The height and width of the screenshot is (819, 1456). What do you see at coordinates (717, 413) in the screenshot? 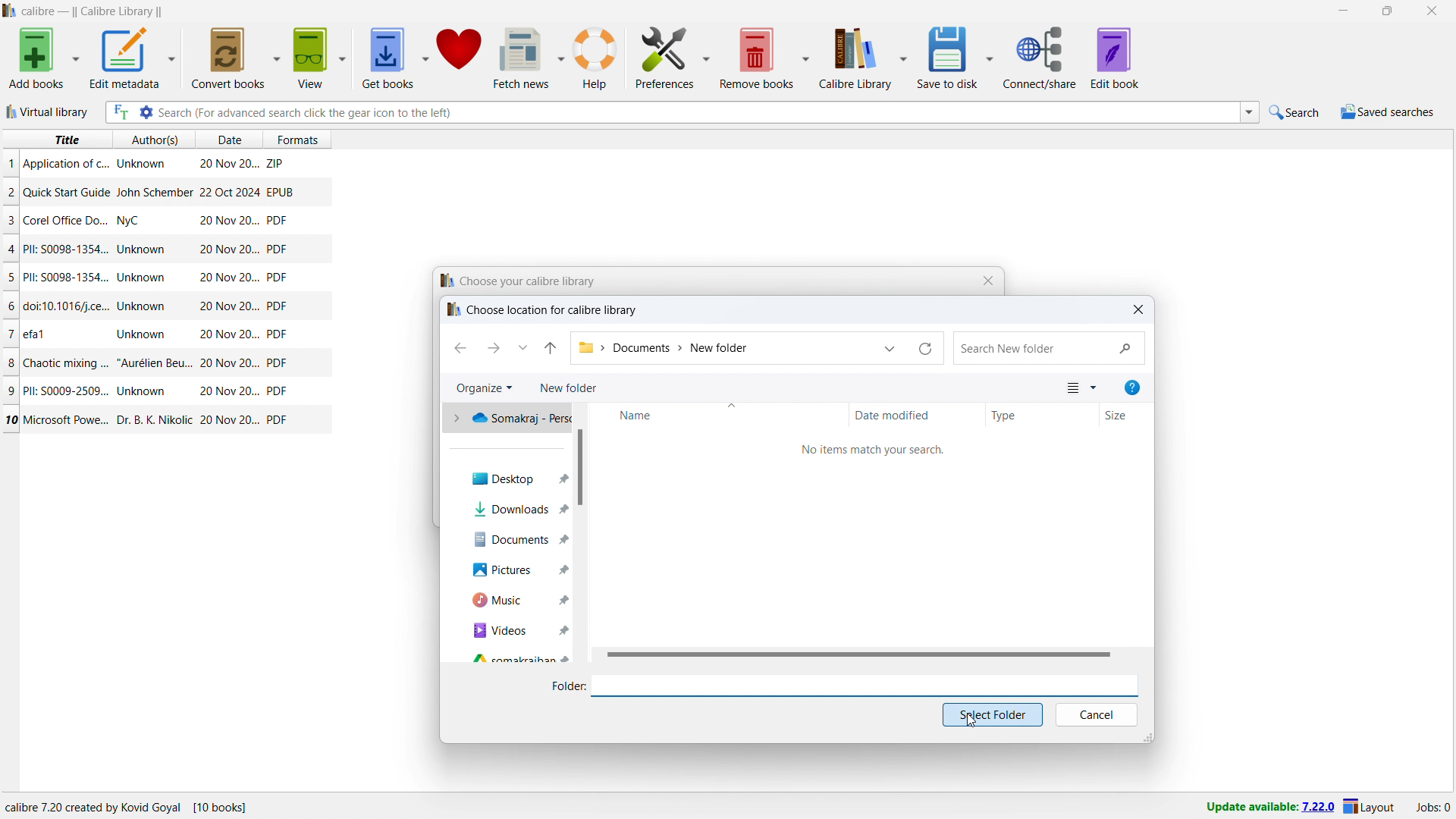
I see `name` at bounding box center [717, 413].